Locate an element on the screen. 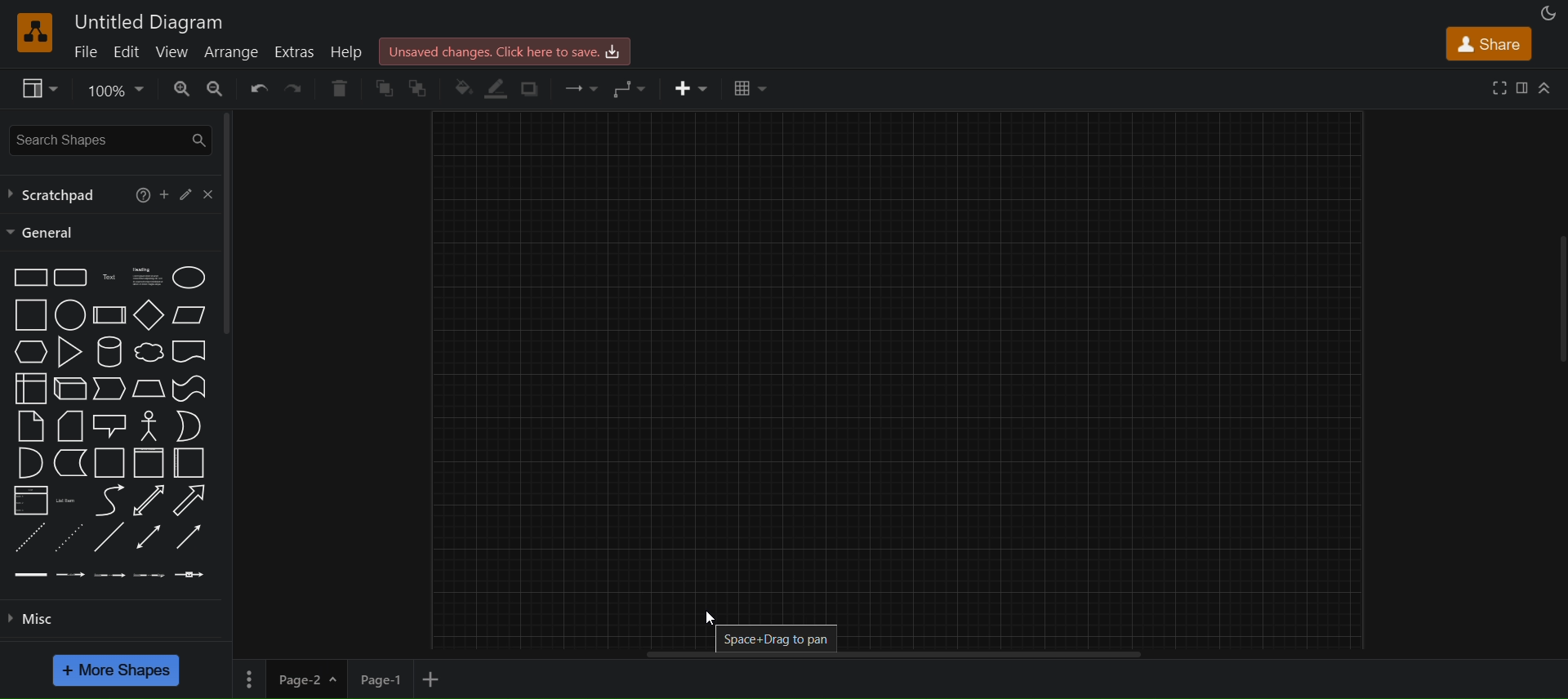 The width and height of the screenshot is (1568, 699). list item is located at coordinates (67, 501).